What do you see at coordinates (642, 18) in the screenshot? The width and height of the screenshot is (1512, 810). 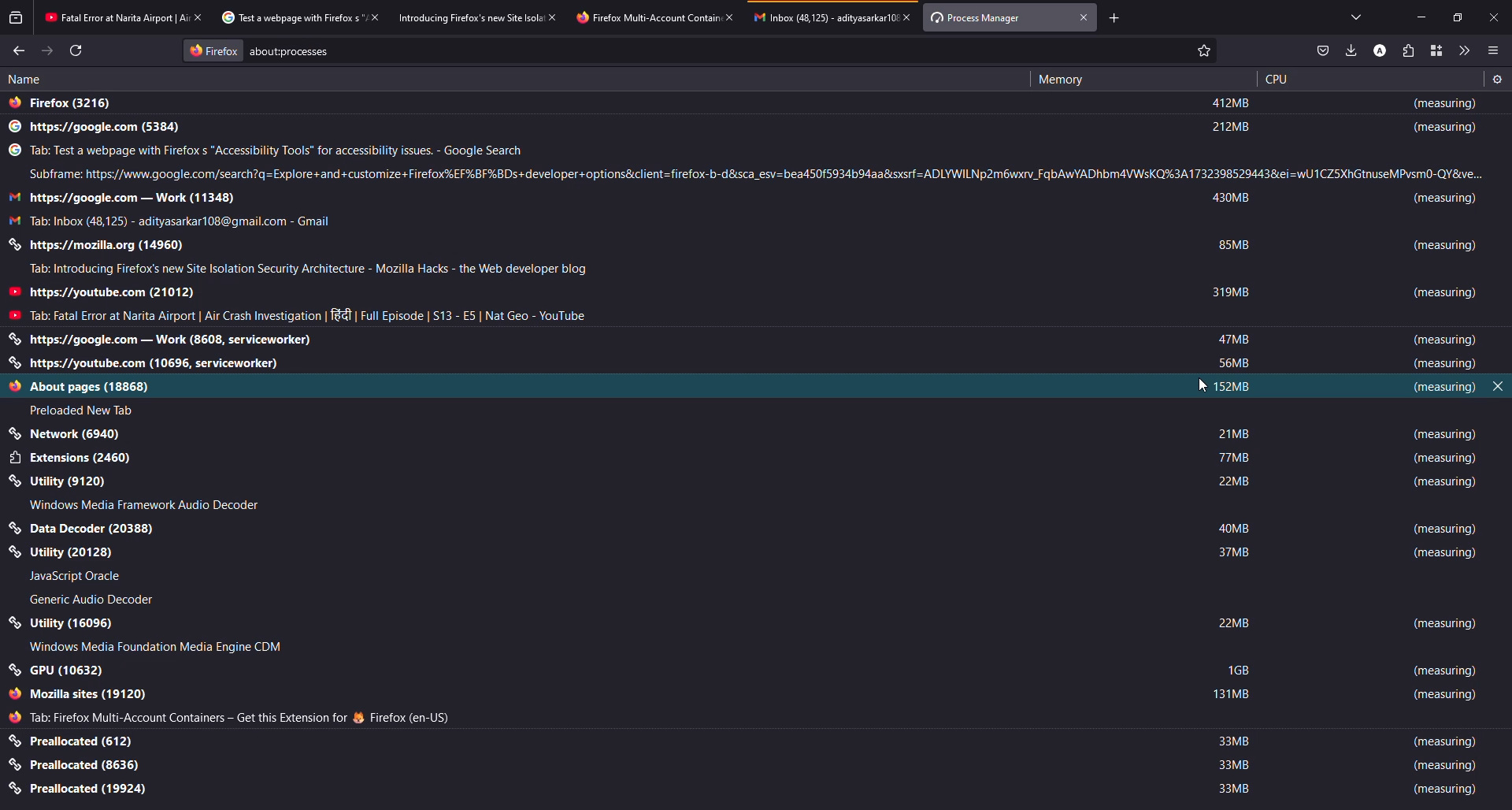 I see `tabfirefox multi-account contain` at bounding box center [642, 18].